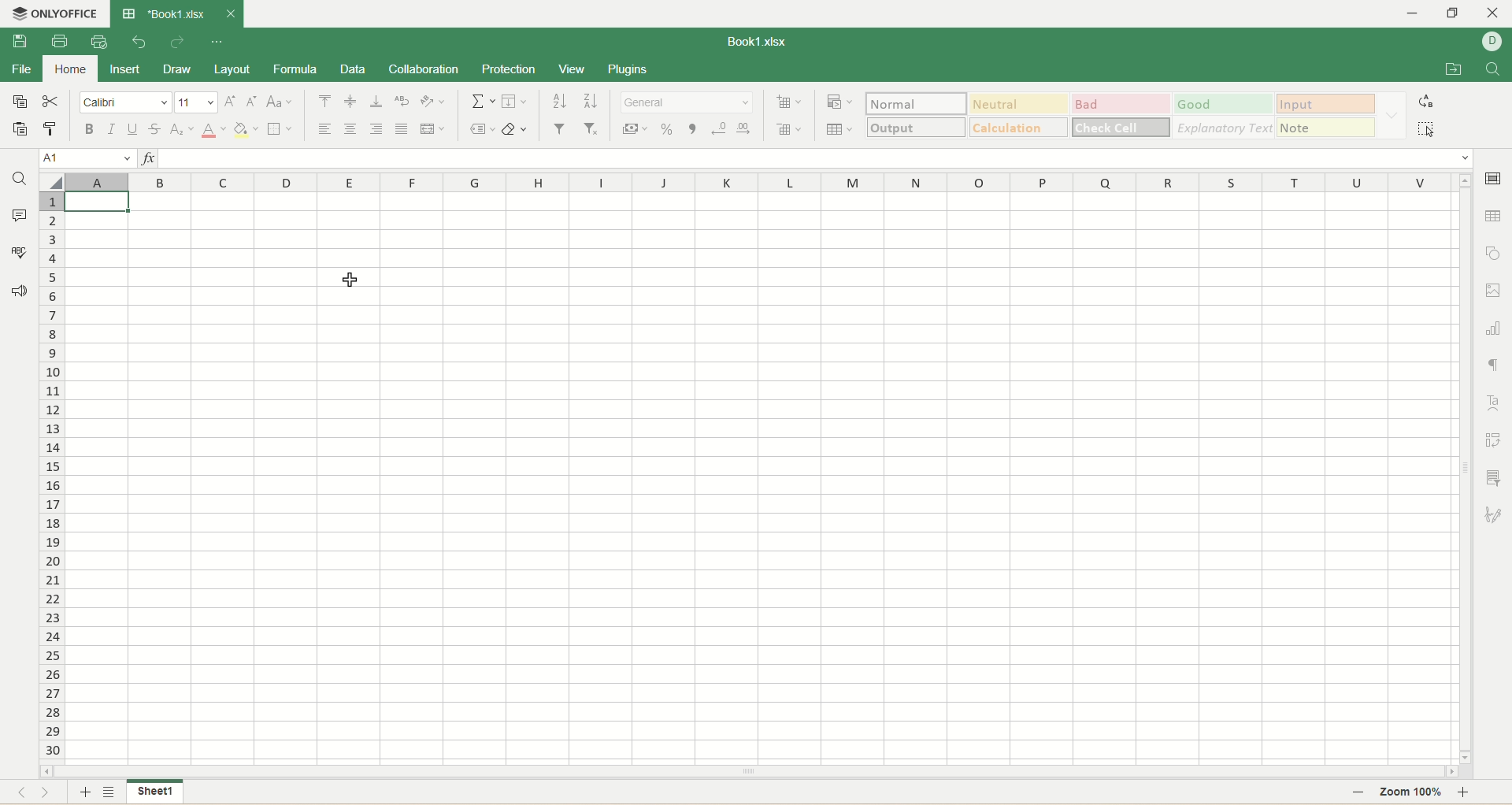 The image size is (1512, 805). Describe the element at coordinates (1020, 127) in the screenshot. I see `calculations` at that location.